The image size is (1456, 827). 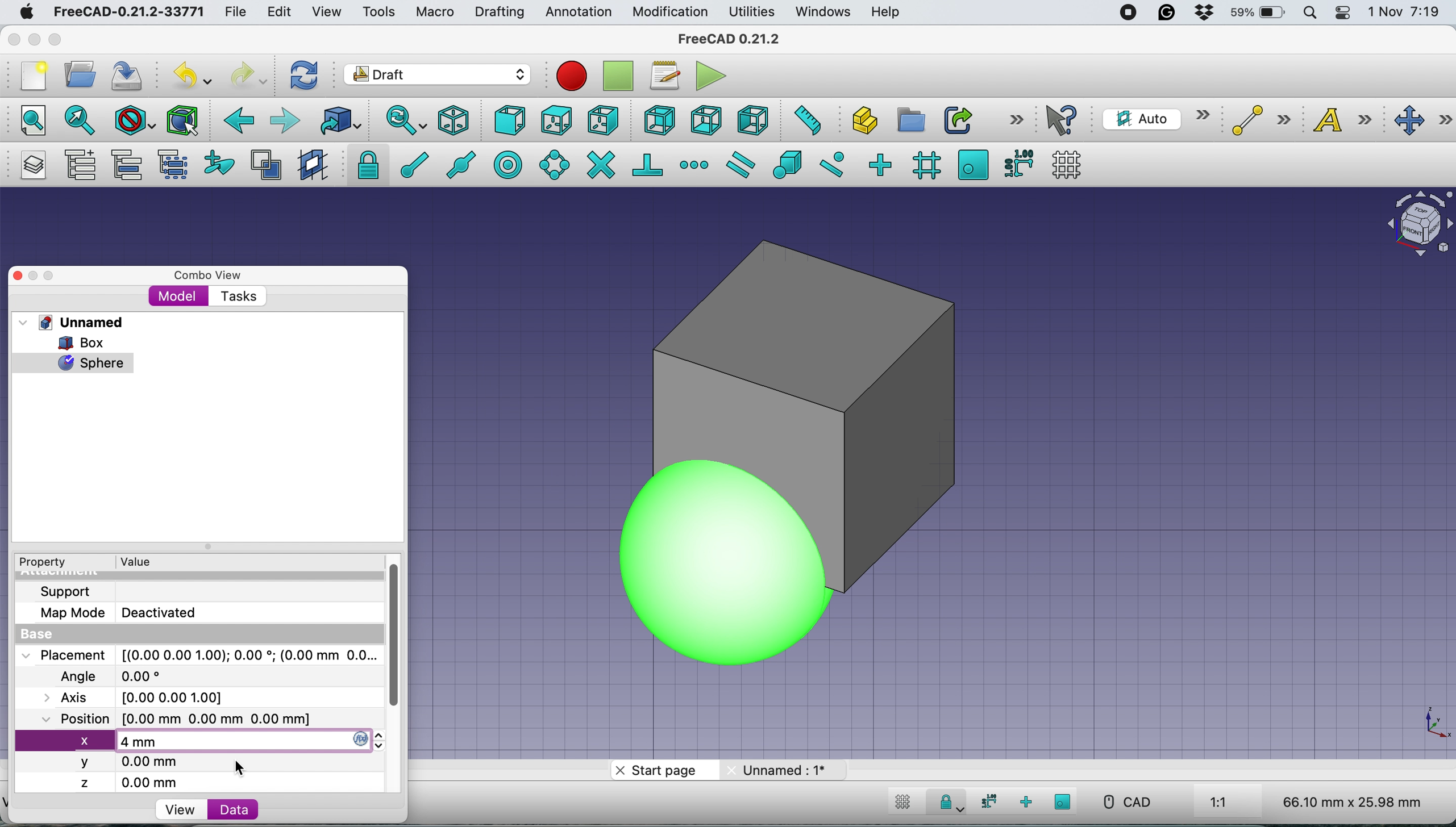 What do you see at coordinates (1018, 162) in the screenshot?
I see `snap dimensions` at bounding box center [1018, 162].